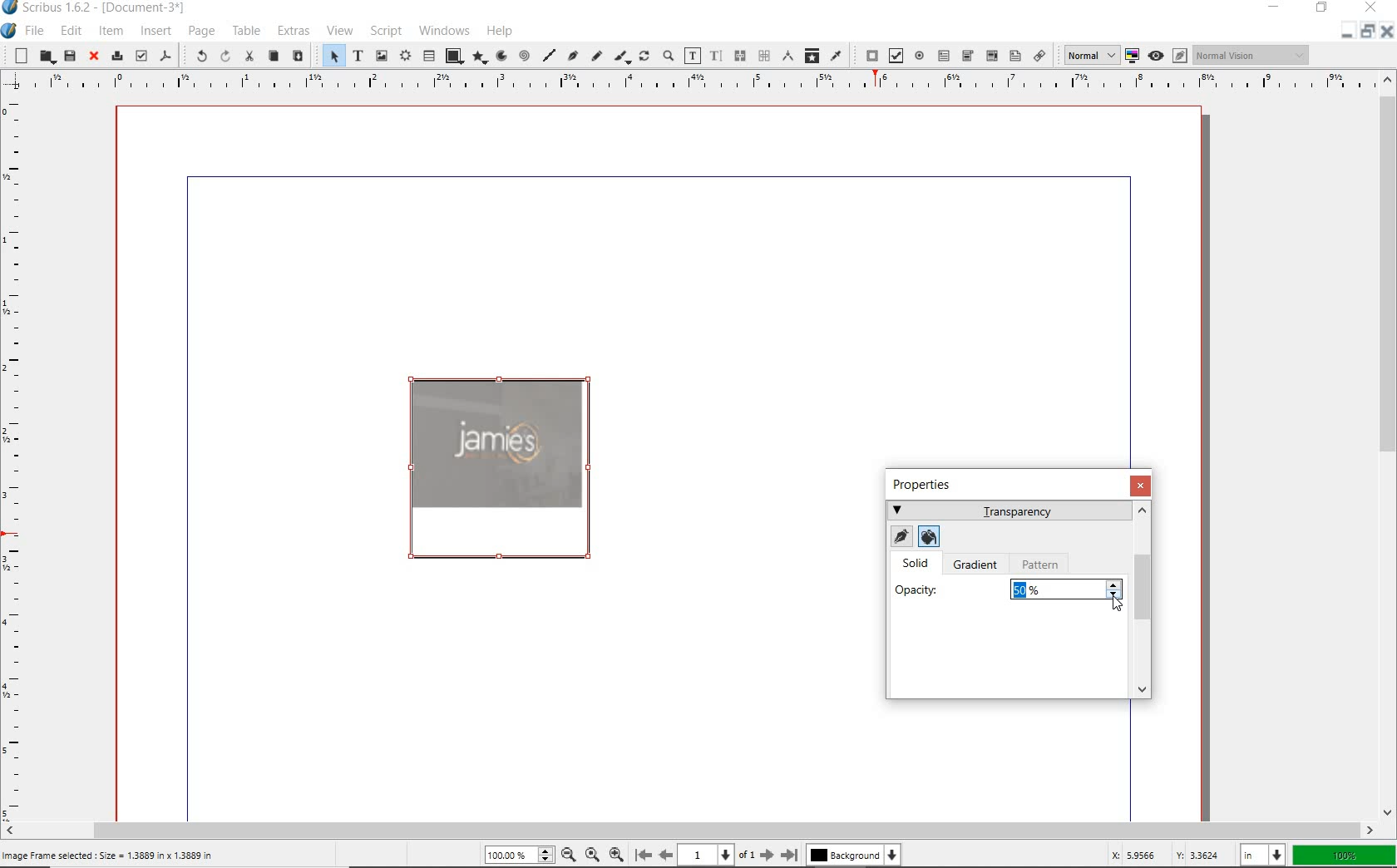  What do you see at coordinates (714, 55) in the screenshot?
I see `edit text with story editor` at bounding box center [714, 55].